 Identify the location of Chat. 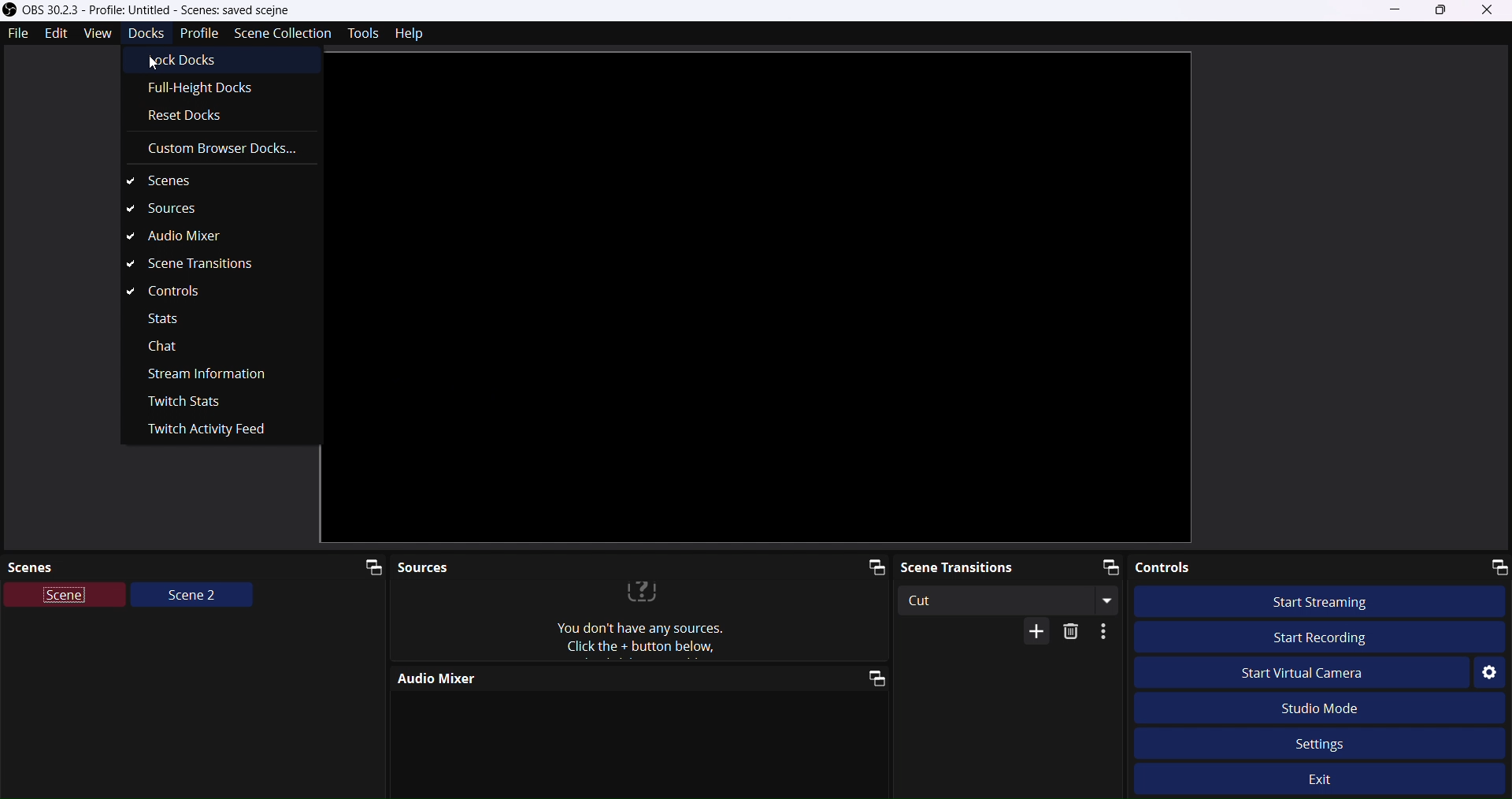
(164, 351).